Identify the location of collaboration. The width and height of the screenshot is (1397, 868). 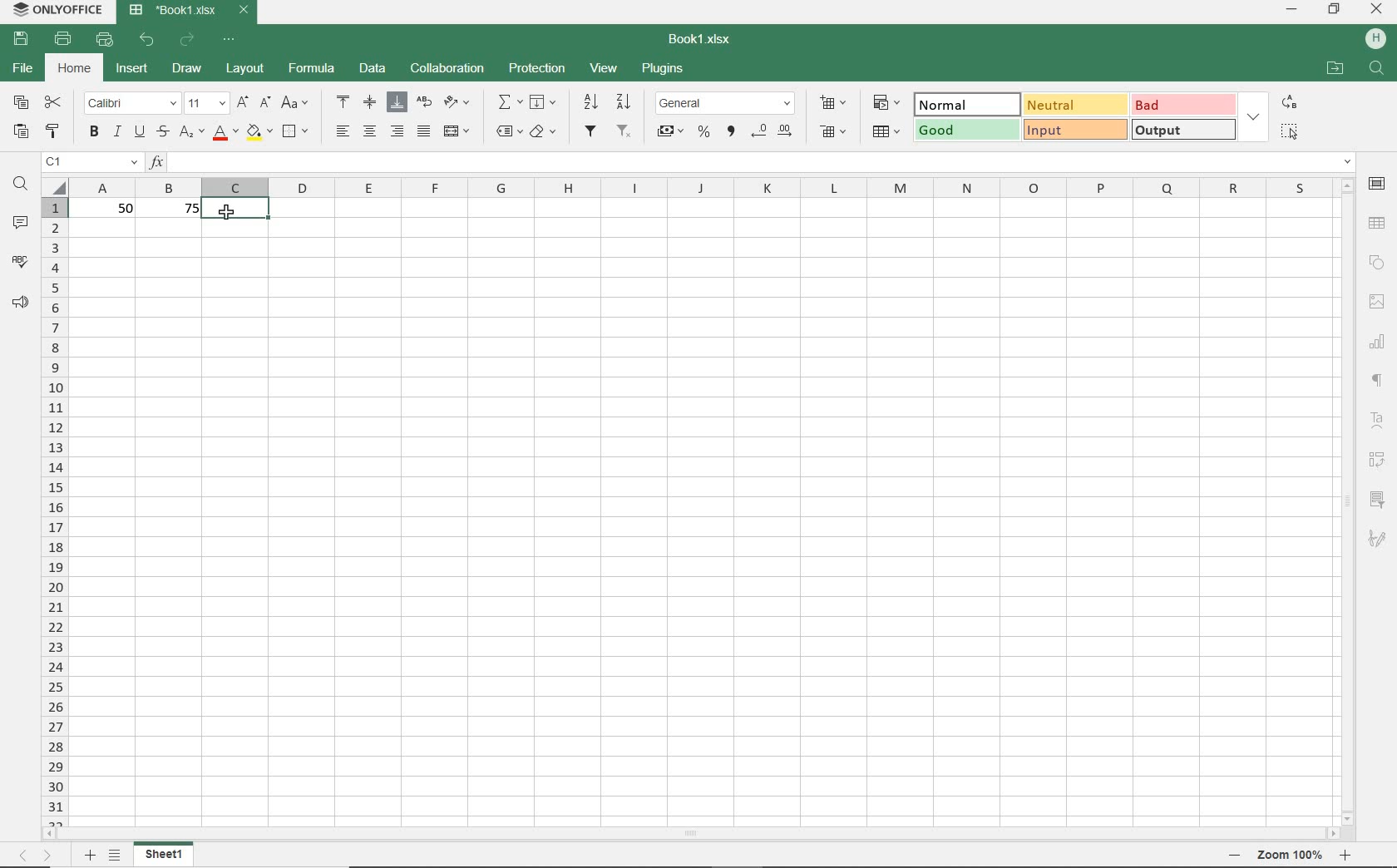
(446, 68).